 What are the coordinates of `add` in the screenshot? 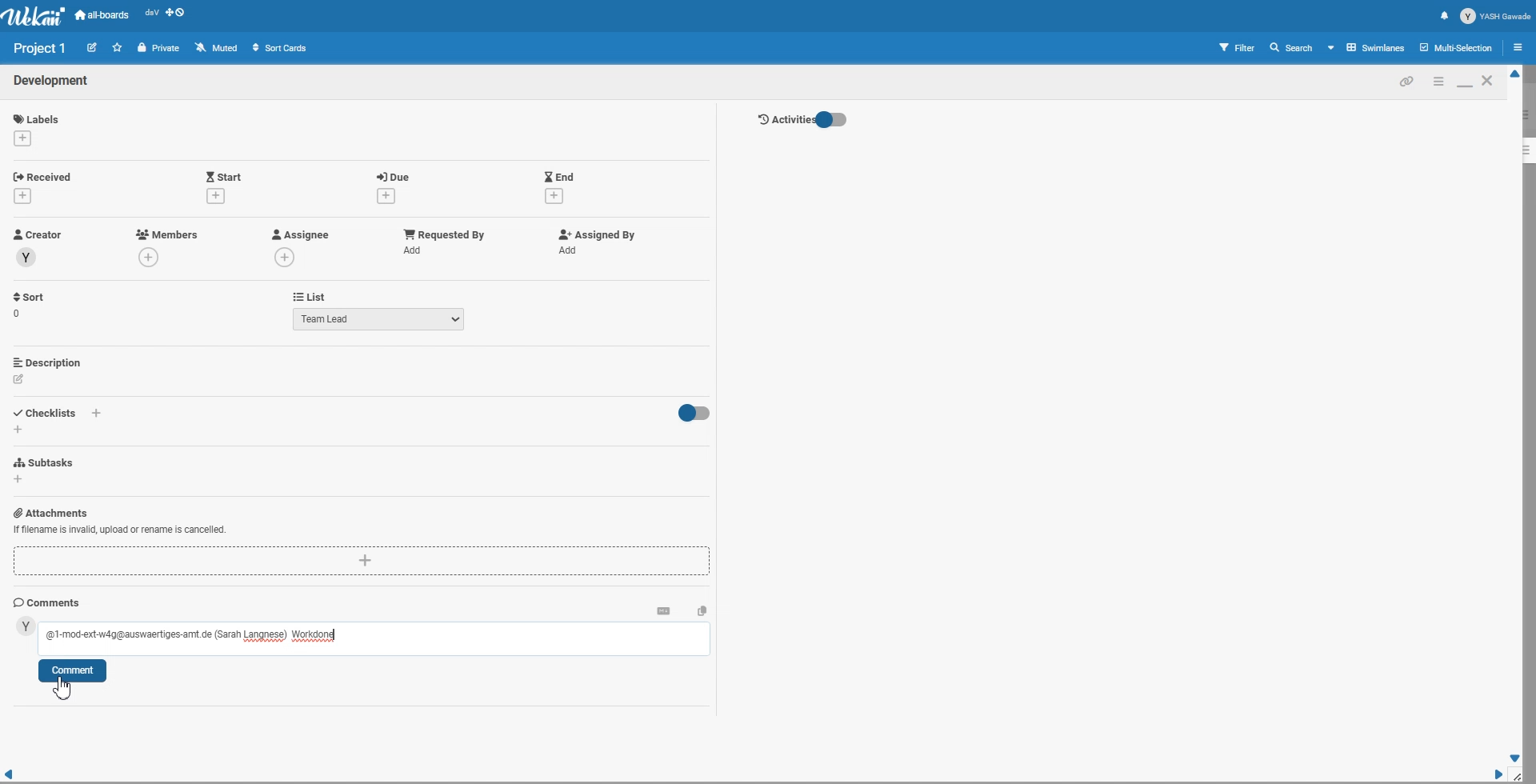 It's located at (383, 196).